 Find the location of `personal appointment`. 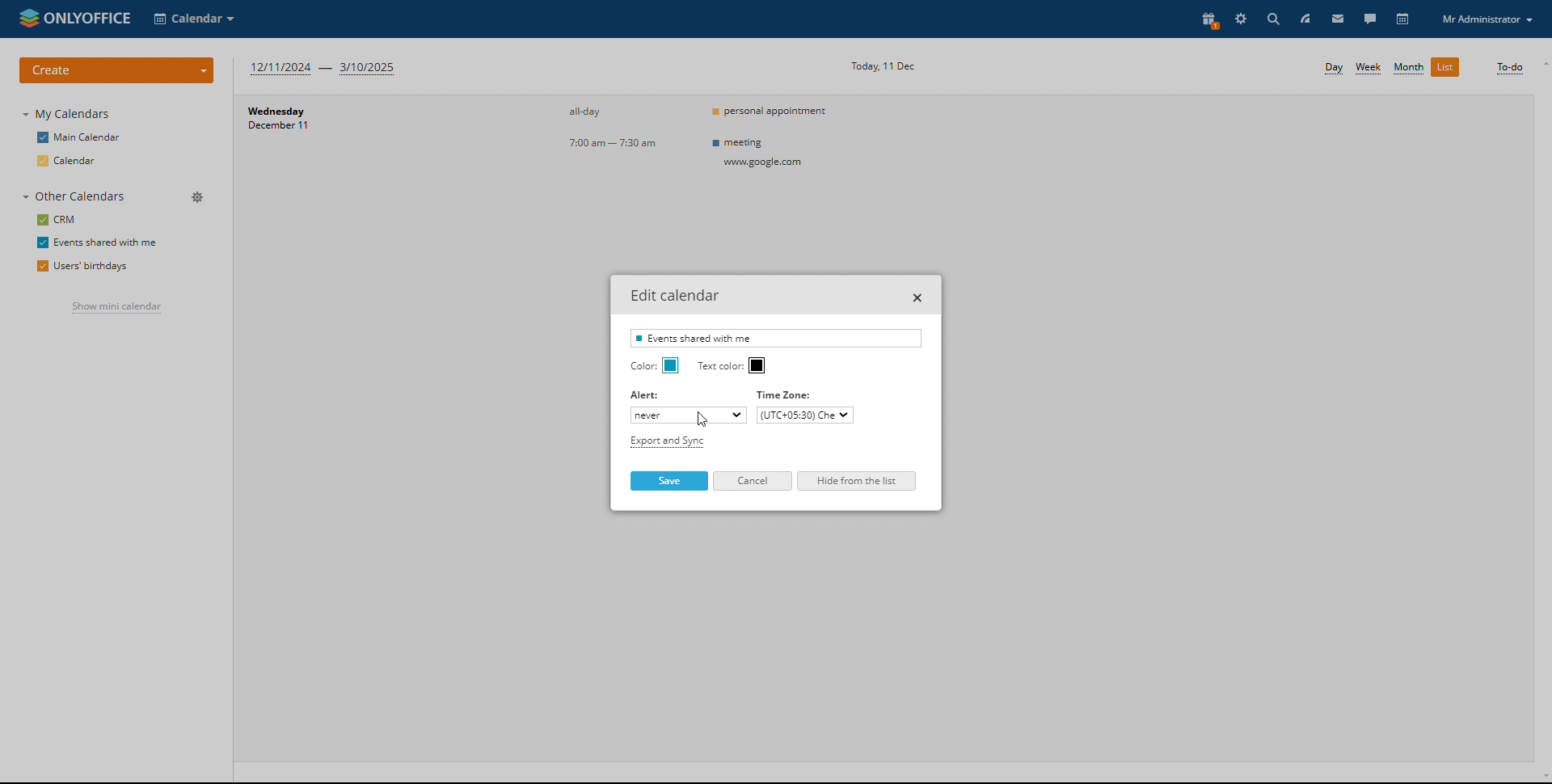

personal appointment is located at coordinates (773, 110).